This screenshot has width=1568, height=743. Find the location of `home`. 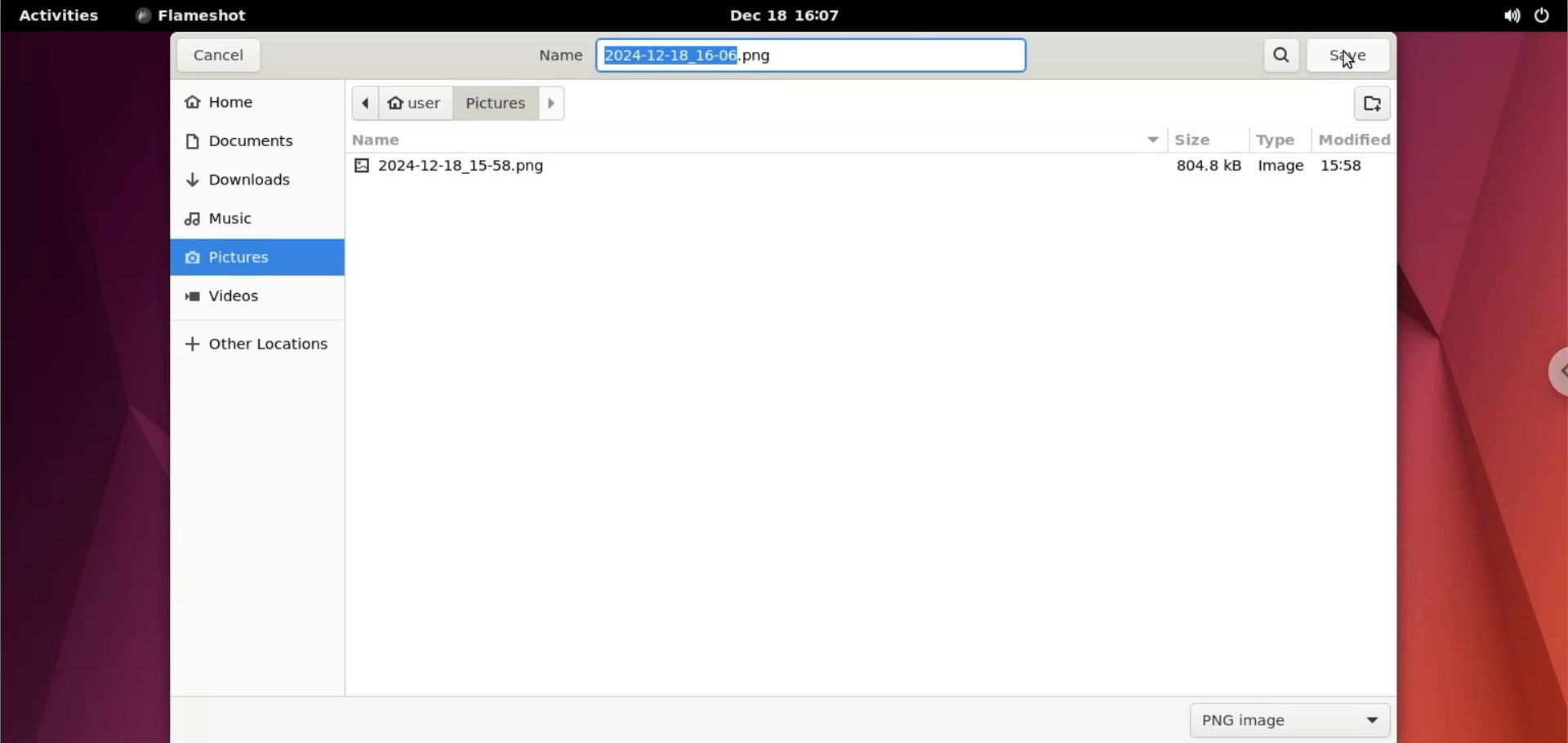

home is located at coordinates (253, 102).